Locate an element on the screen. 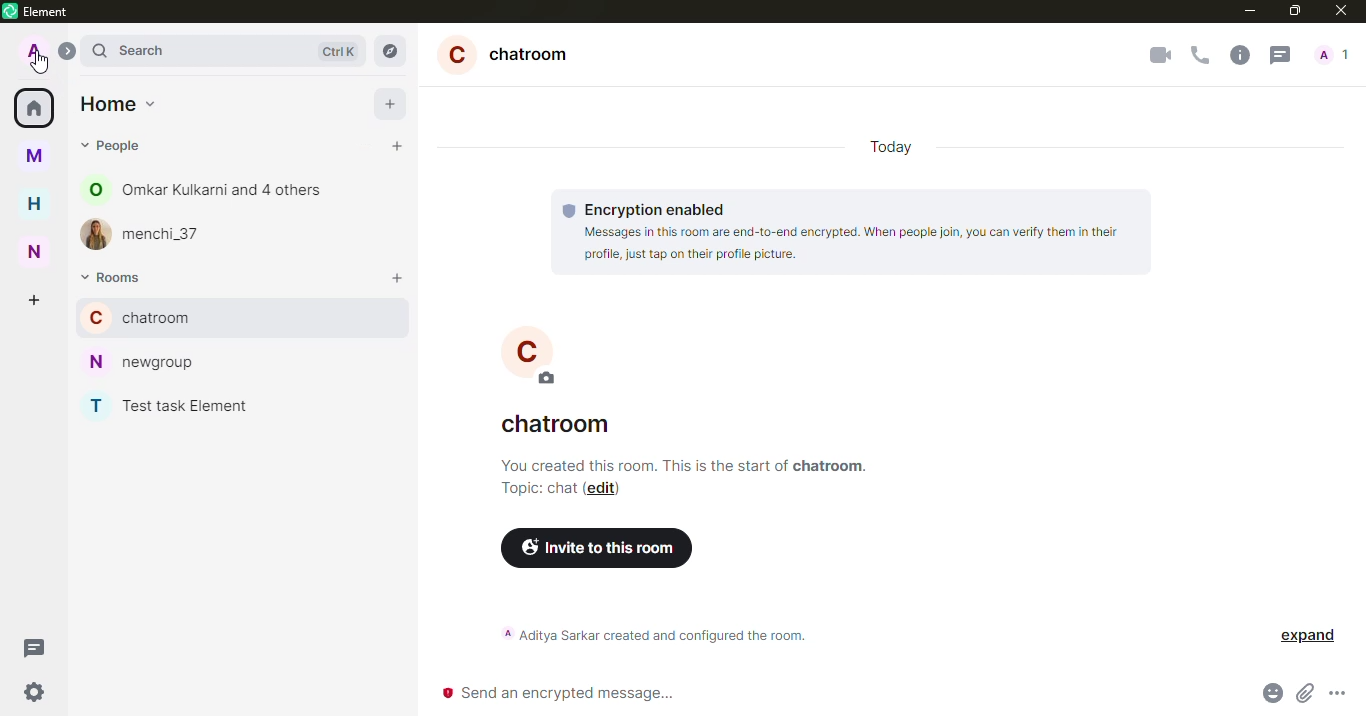 The image size is (1366, 716). h is located at coordinates (35, 203).